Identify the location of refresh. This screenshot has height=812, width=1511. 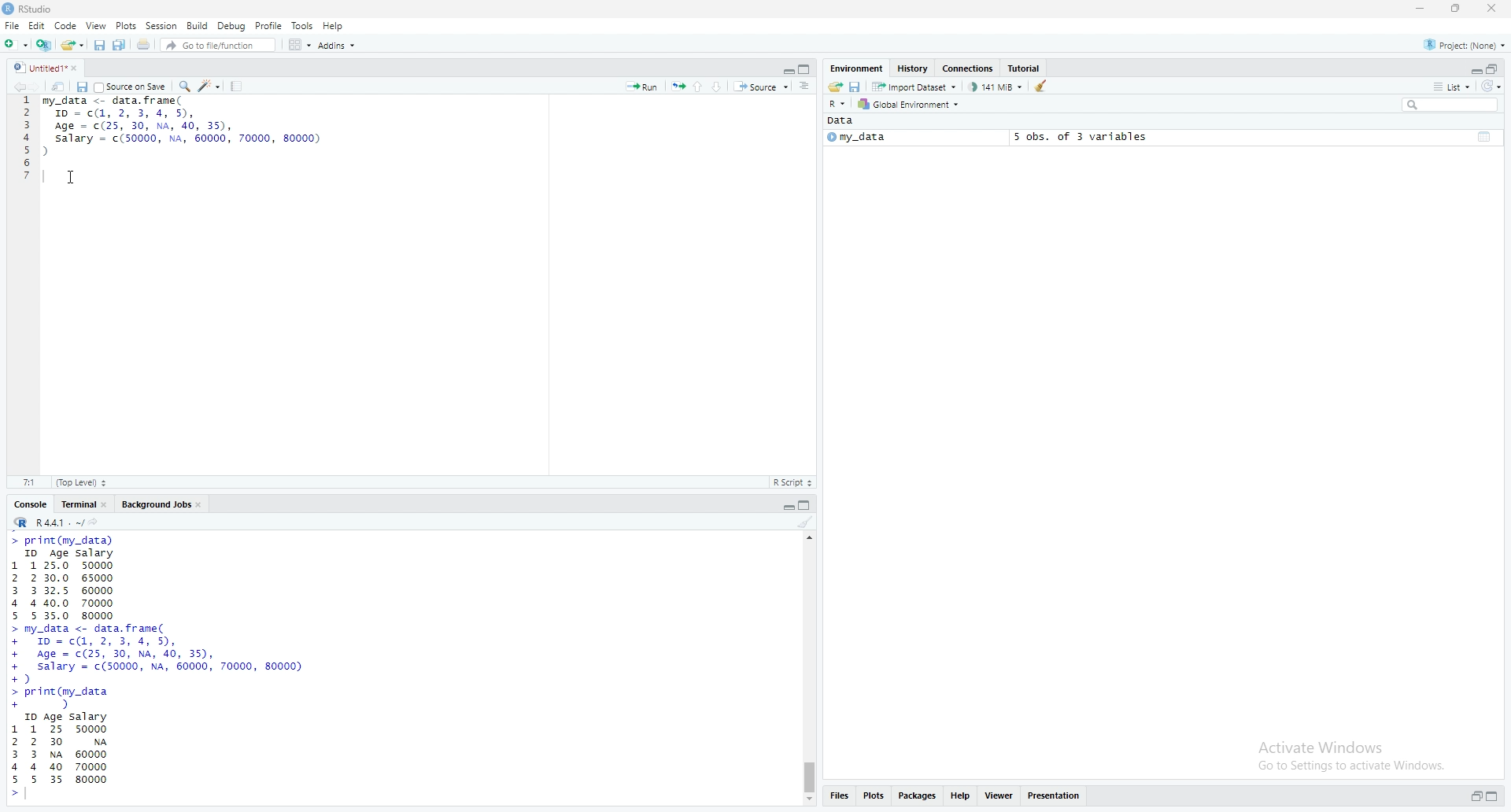
(1491, 87).